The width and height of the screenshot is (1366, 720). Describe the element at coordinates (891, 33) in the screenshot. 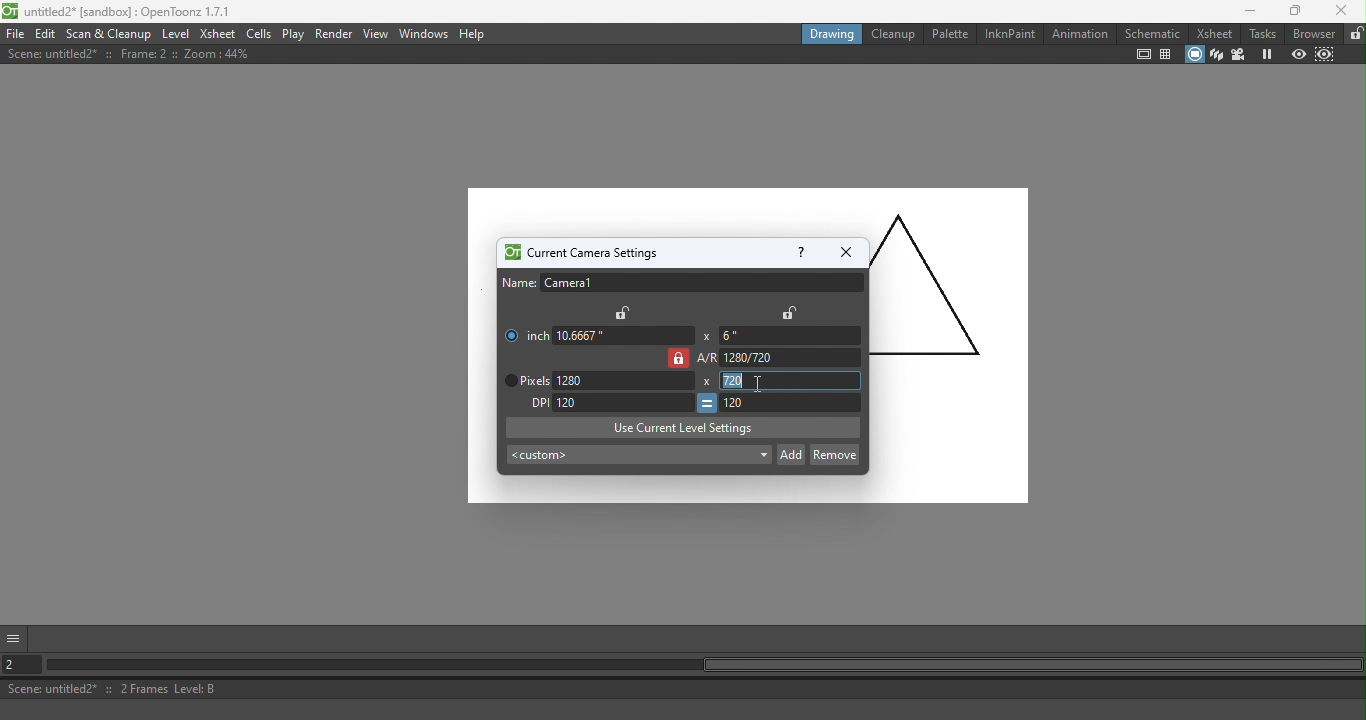

I see `Cleanup` at that location.